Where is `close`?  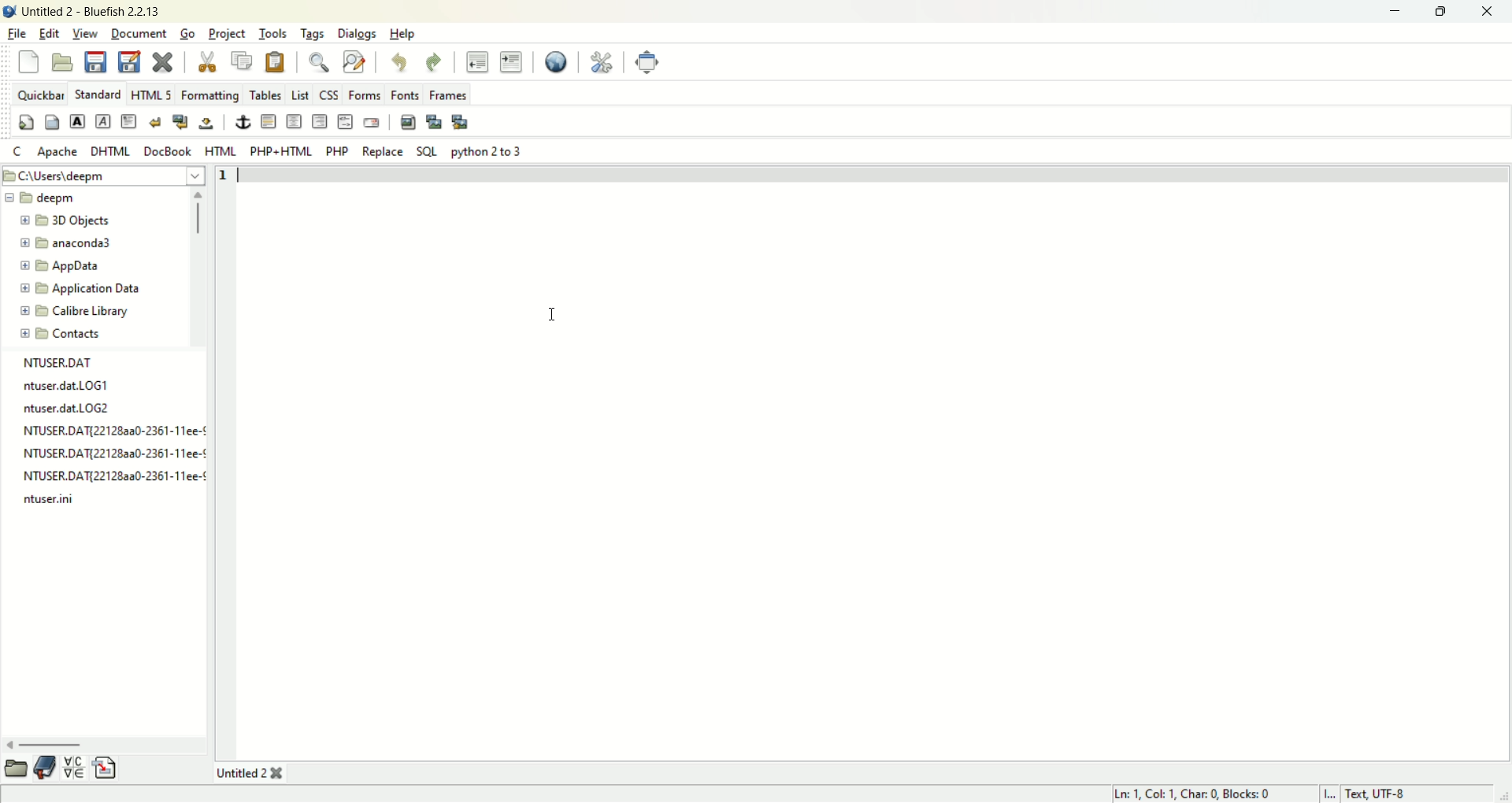 close is located at coordinates (1488, 13).